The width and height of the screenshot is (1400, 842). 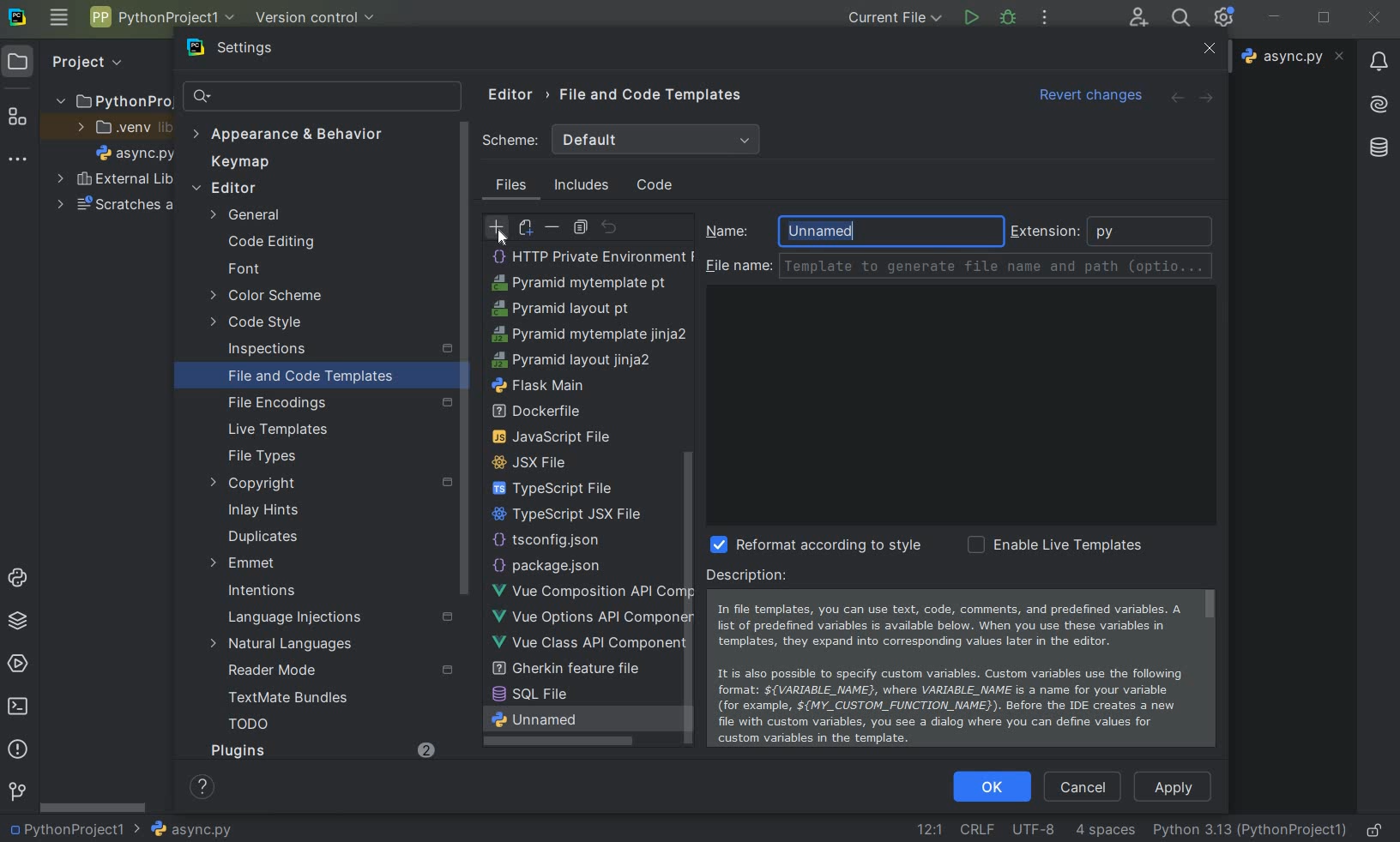 What do you see at coordinates (1326, 18) in the screenshot?
I see `restore down` at bounding box center [1326, 18].